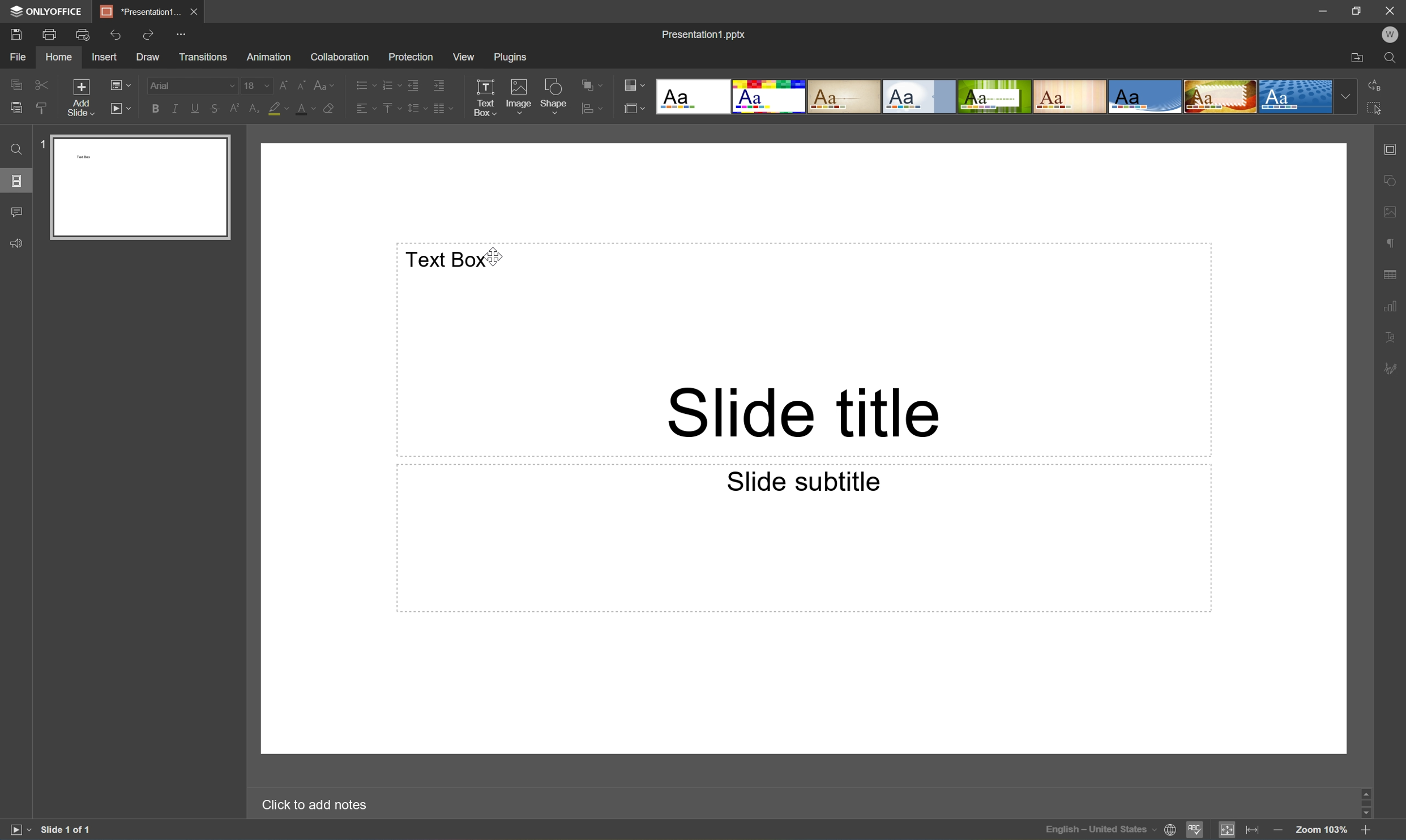 This screenshot has width=1406, height=840. What do you see at coordinates (18, 149) in the screenshot?
I see `Find` at bounding box center [18, 149].